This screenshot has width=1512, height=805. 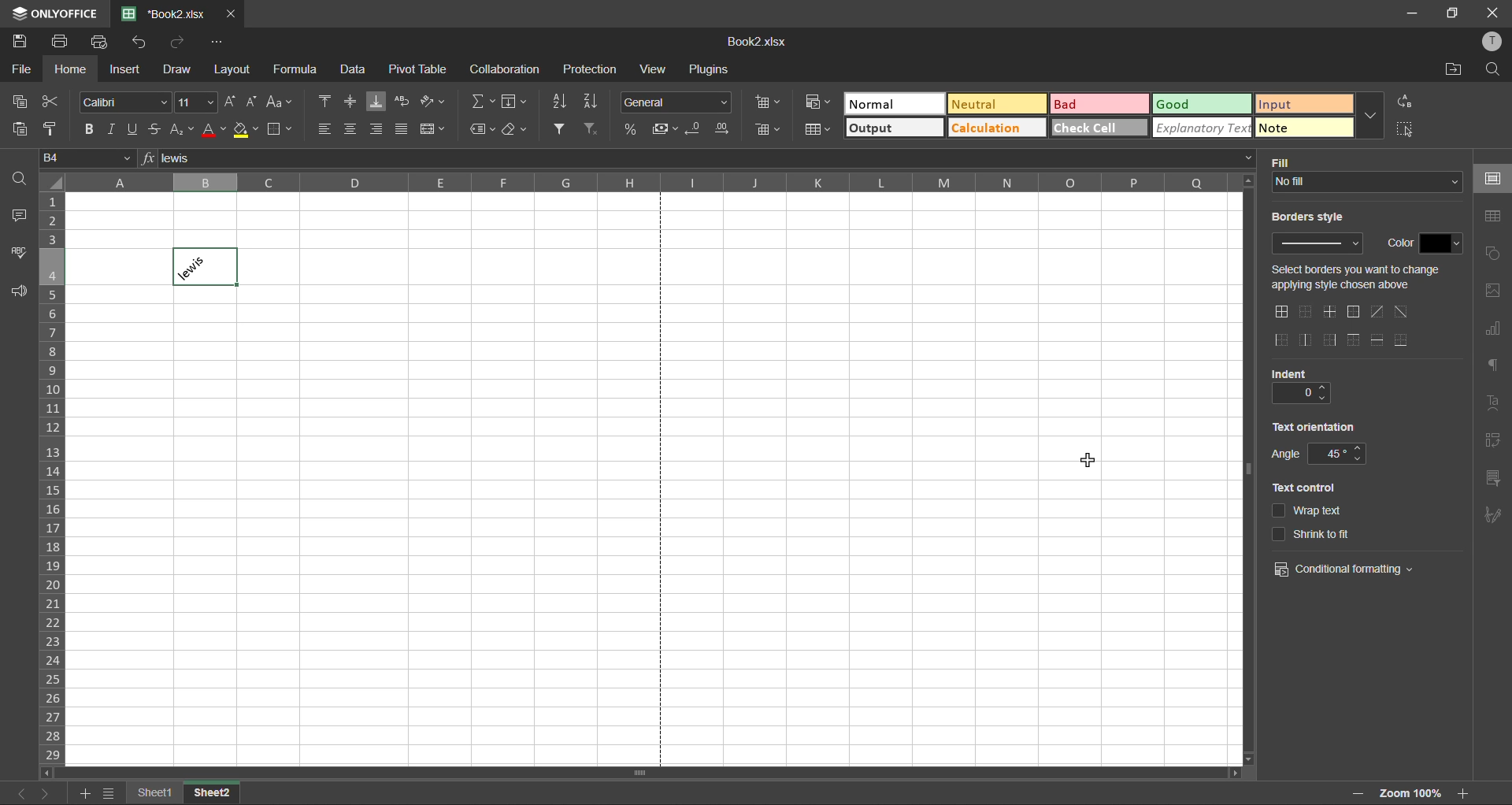 I want to click on sort descending, so click(x=598, y=101).